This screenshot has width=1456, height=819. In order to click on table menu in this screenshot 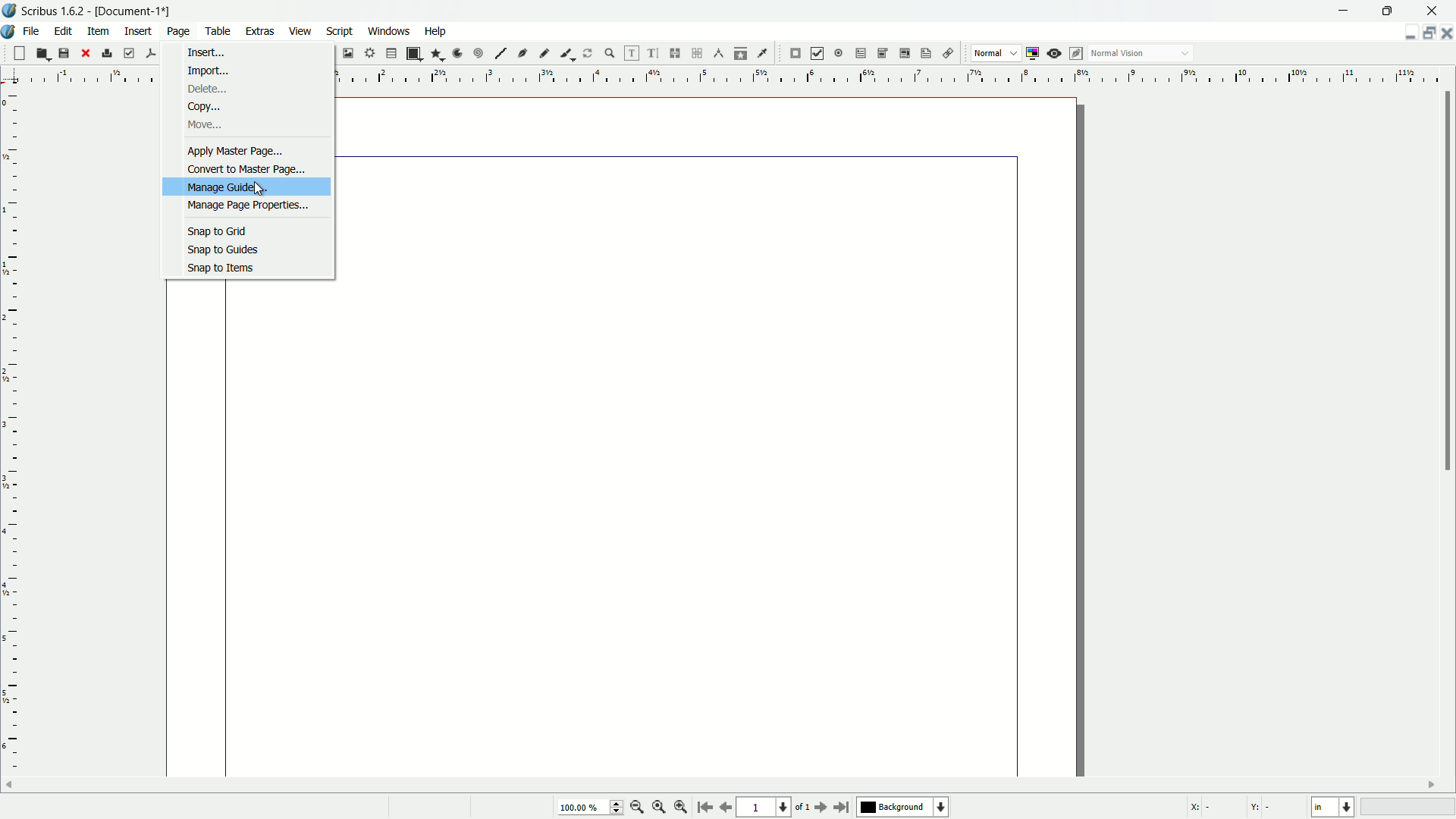, I will do `click(218, 30)`.